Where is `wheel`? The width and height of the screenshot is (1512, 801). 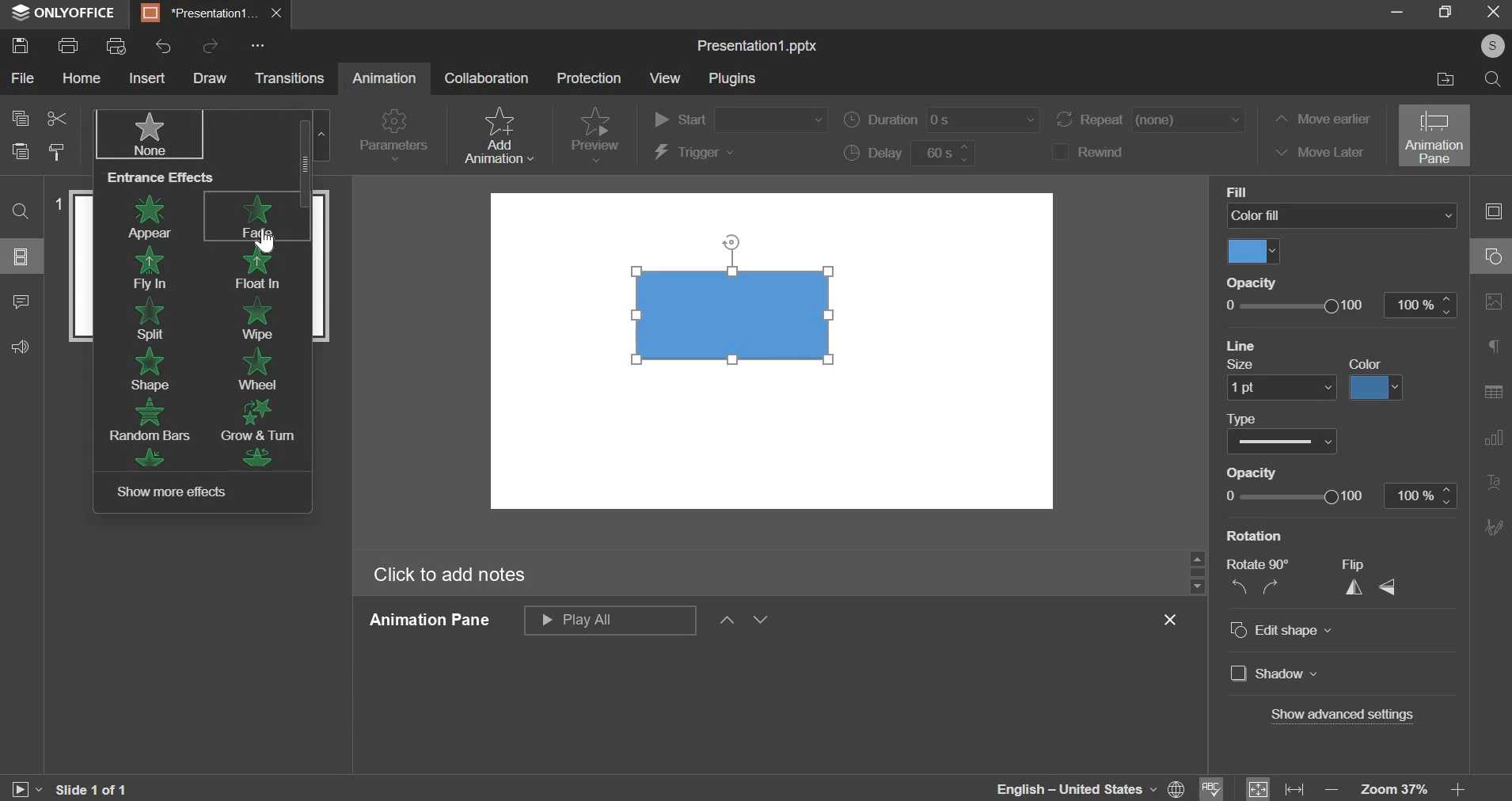
wheel is located at coordinates (260, 368).